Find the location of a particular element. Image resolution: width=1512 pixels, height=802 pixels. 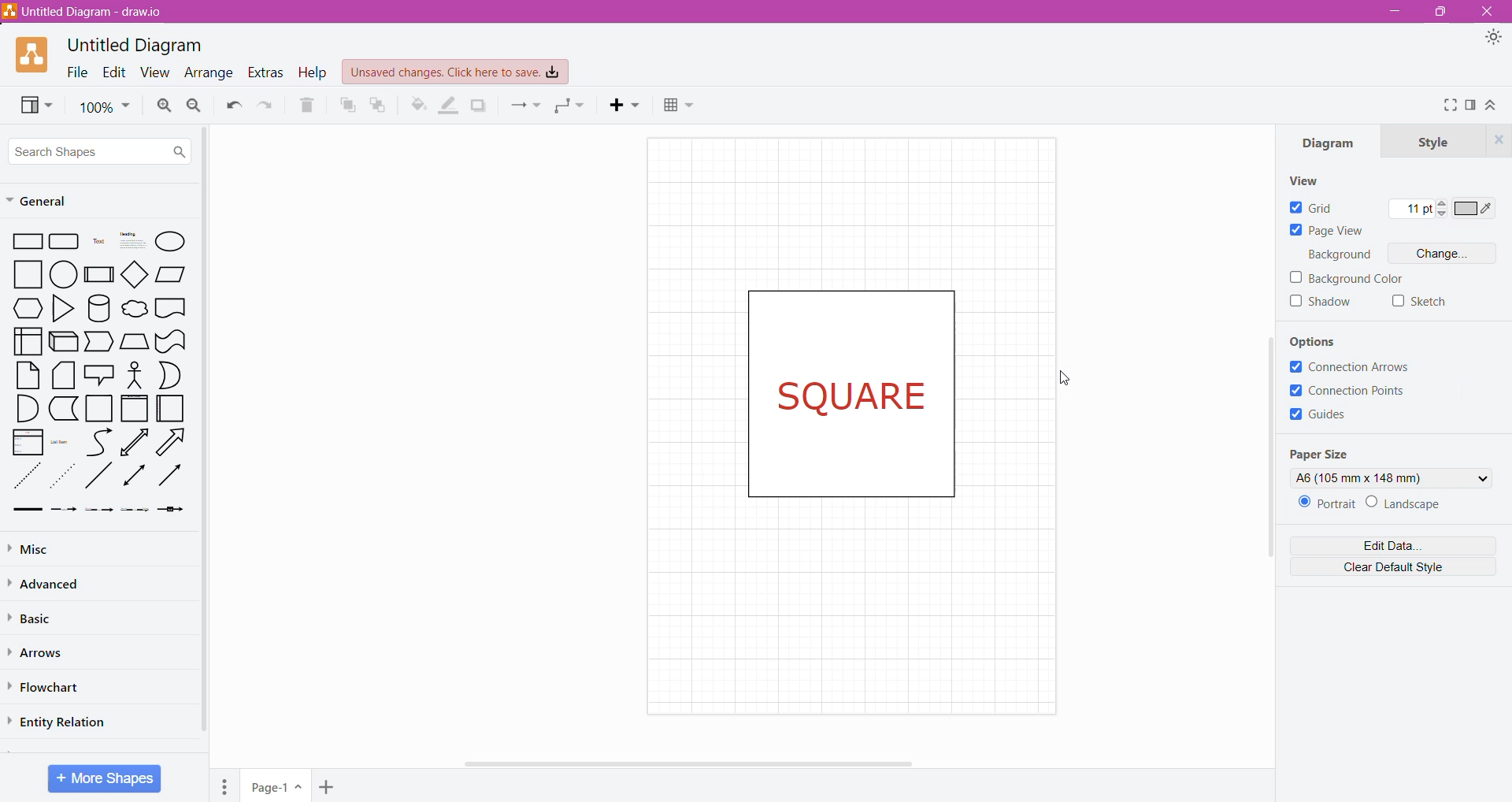

View is located at coordinates (156, 71).